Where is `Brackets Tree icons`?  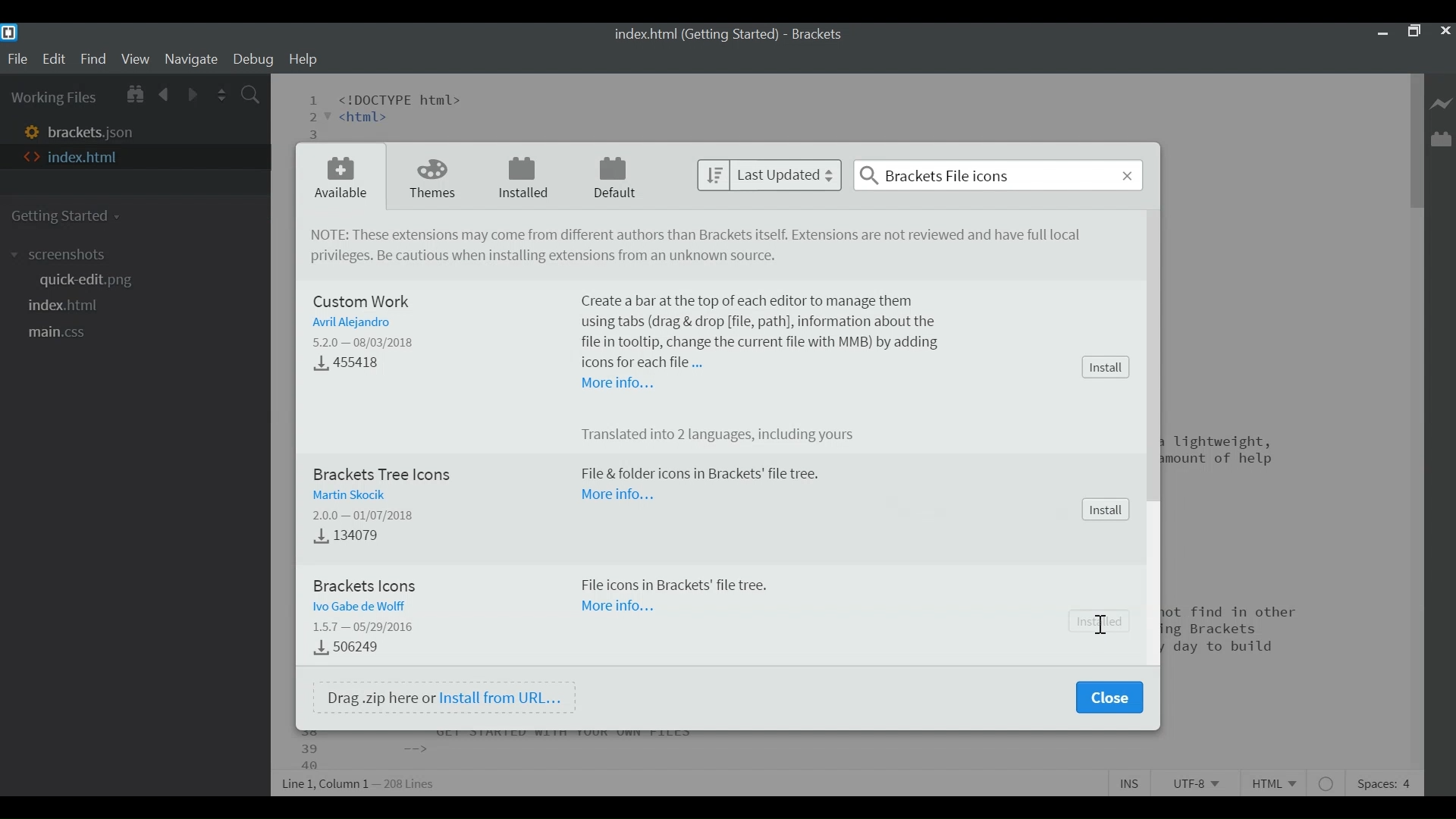 Brackets Tree icons is located at coordinates (383, 473).